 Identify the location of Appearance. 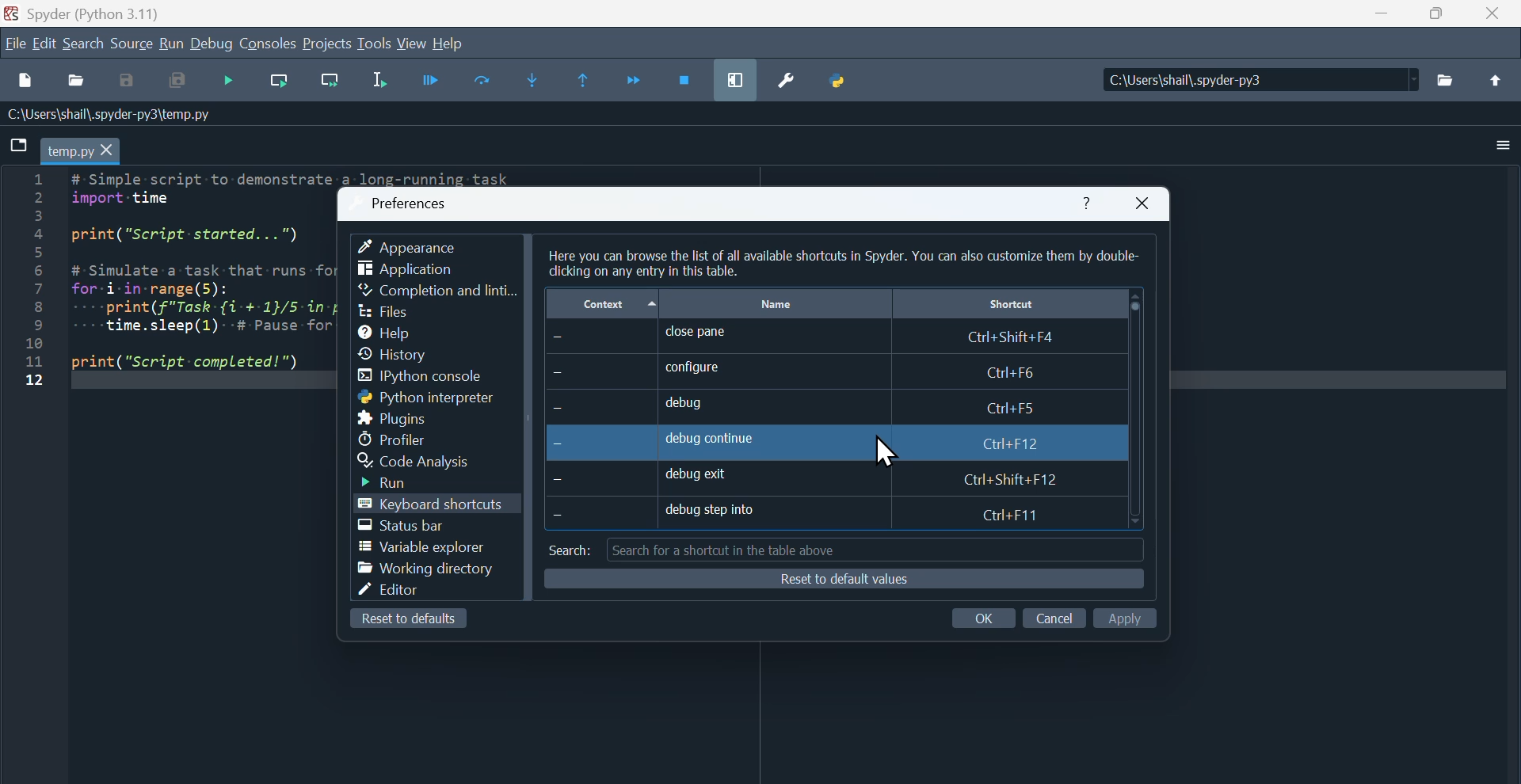
(421, 243).